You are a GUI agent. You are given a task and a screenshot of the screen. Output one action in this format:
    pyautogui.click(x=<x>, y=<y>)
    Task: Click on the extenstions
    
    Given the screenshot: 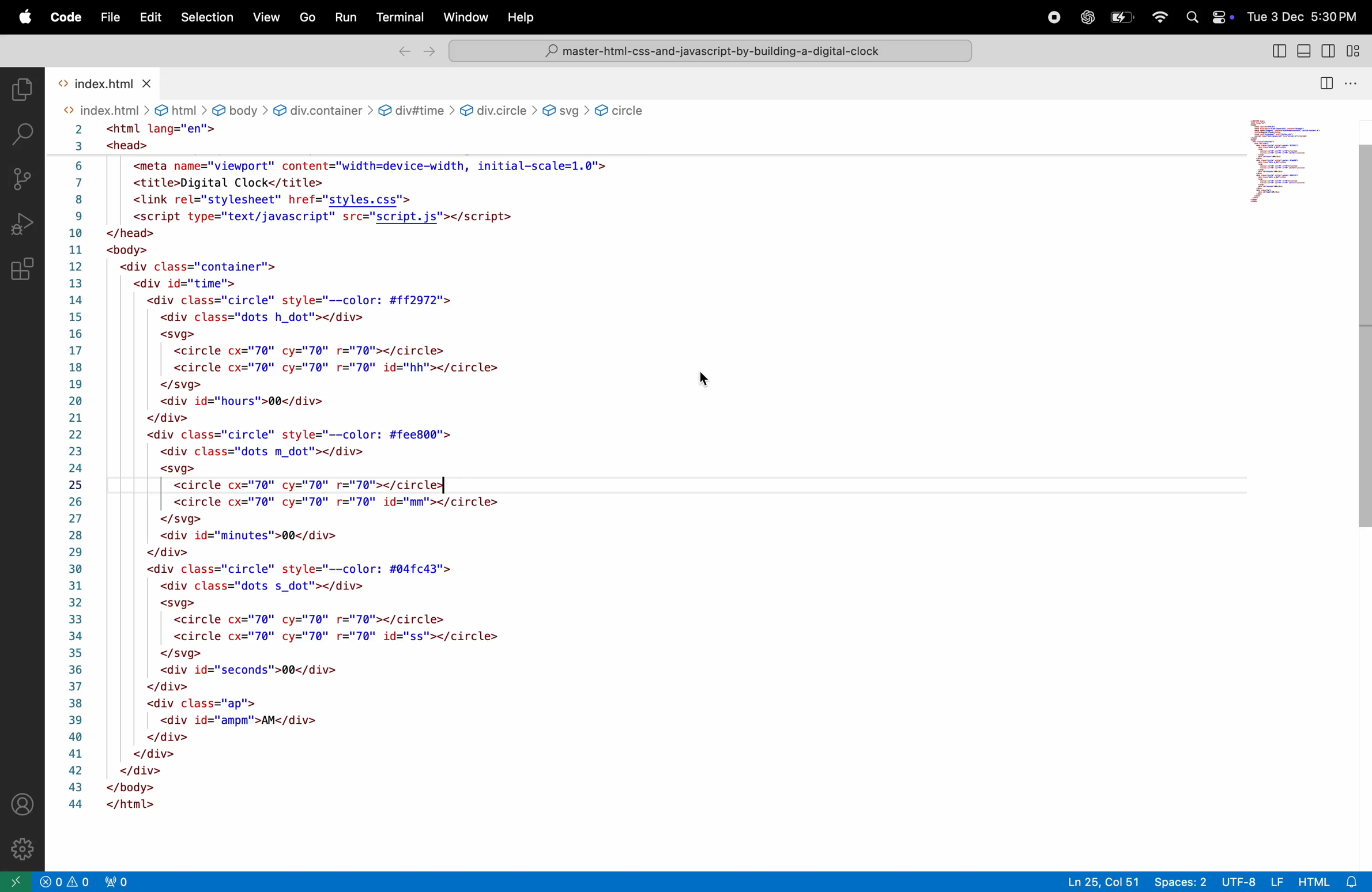 What is the action you would take?
    pyautogui.click(x=22, y=275)
    